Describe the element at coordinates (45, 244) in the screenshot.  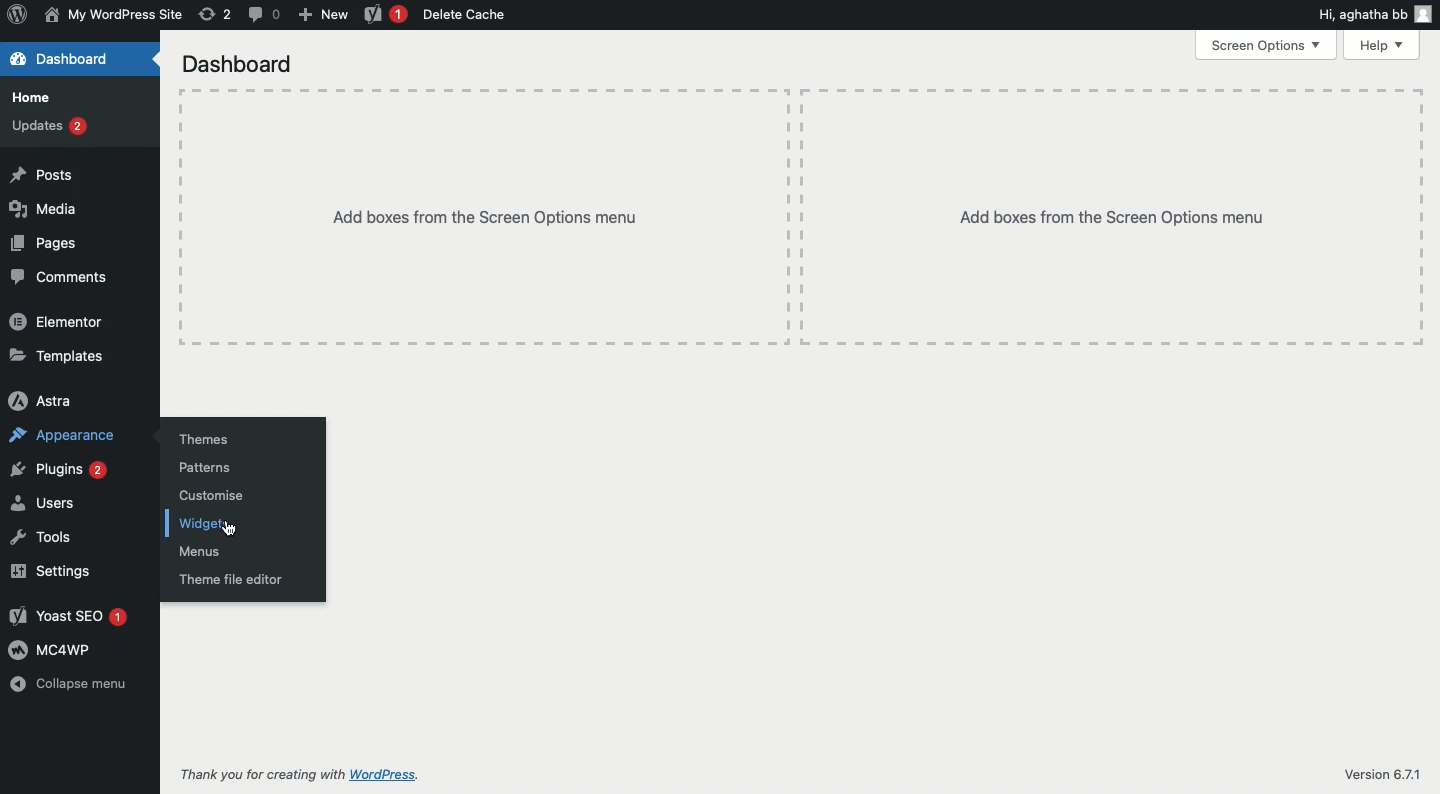
I see `Pages` at that location.